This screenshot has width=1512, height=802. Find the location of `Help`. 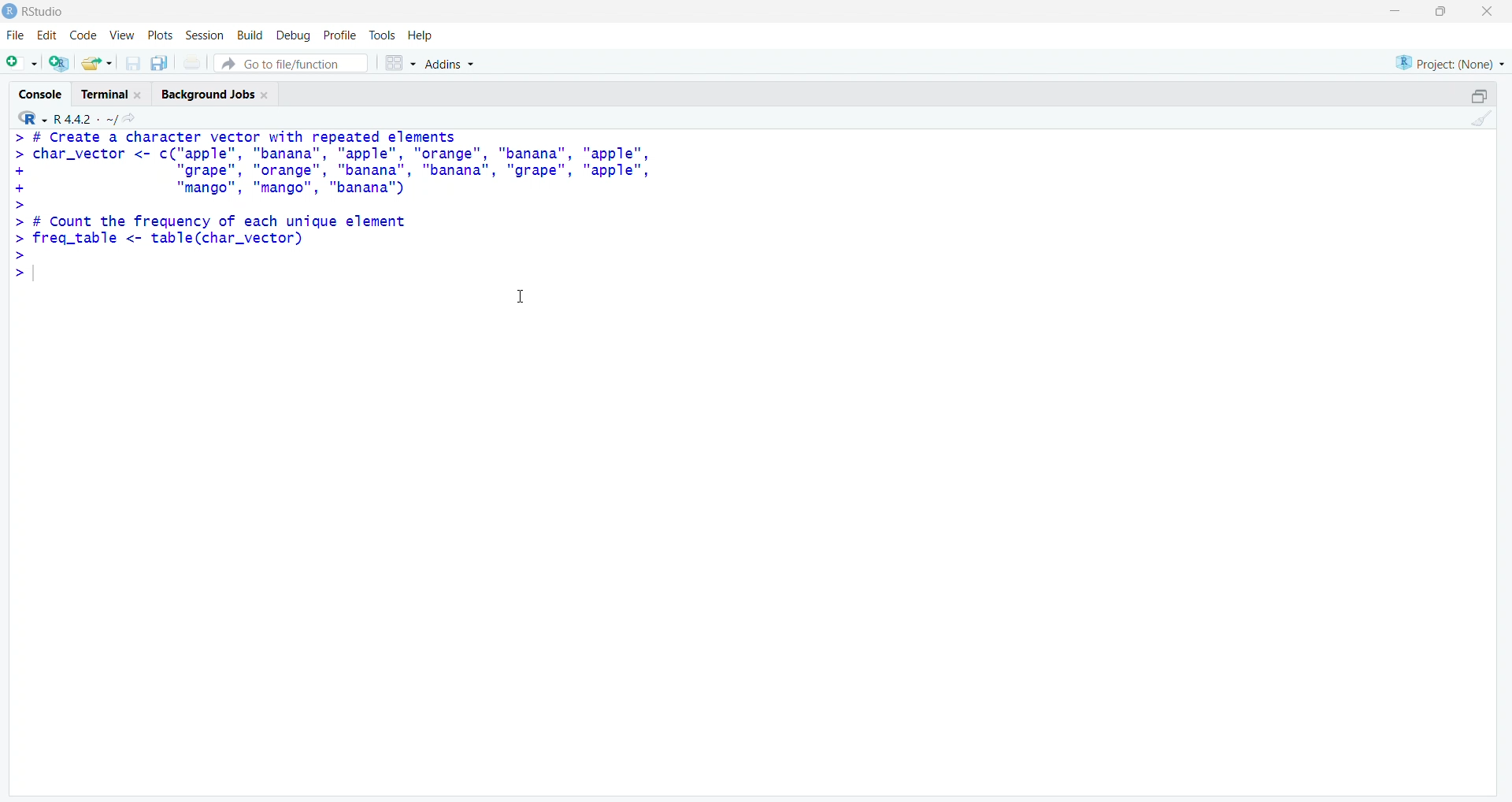

Help is located at coordinates (426, 37).